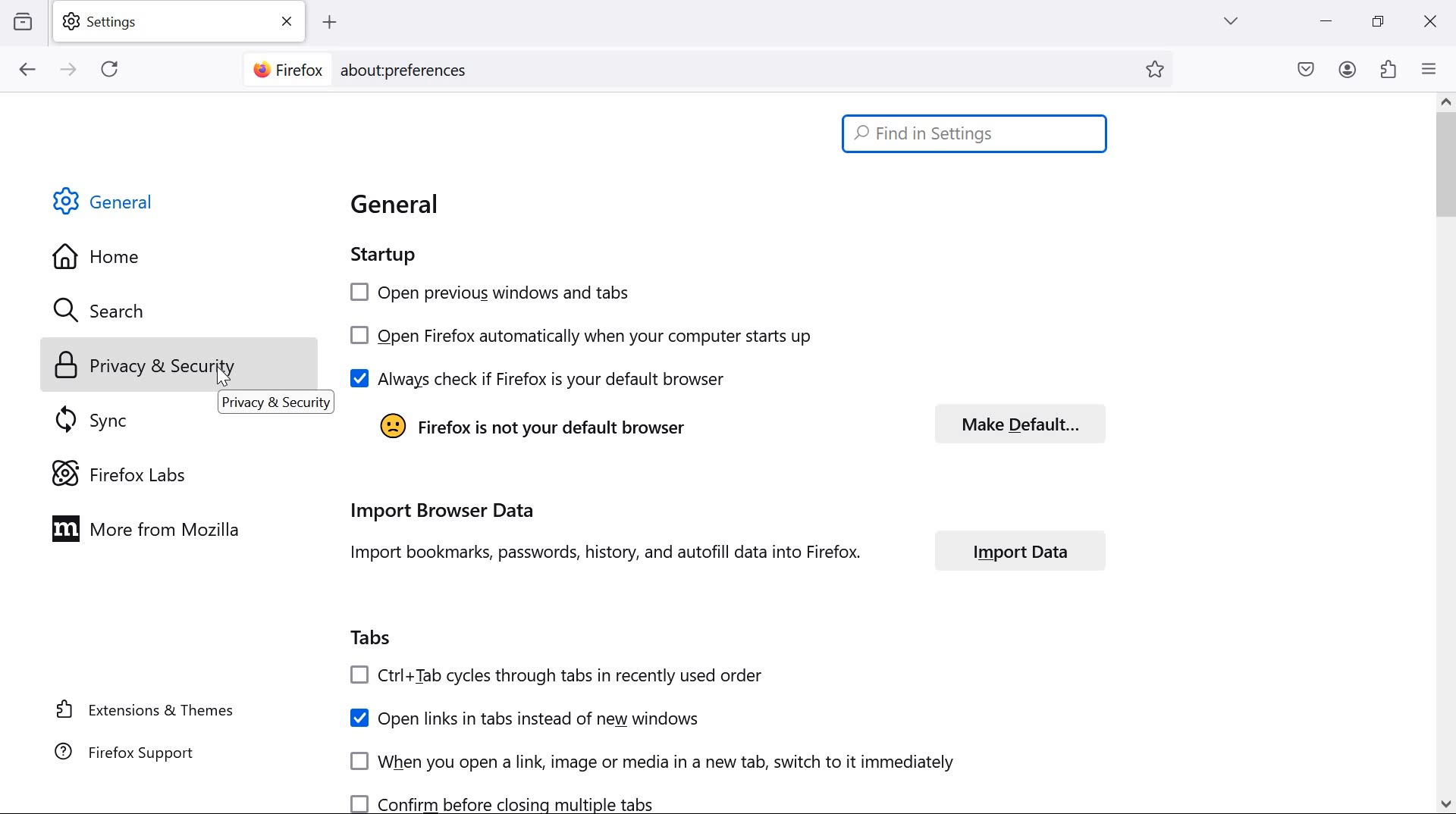 The height and width of the screenshot is (814, 1456). Describe the element at coordinates (28, 69) in the screenshot. I see `go back one page` at that location.